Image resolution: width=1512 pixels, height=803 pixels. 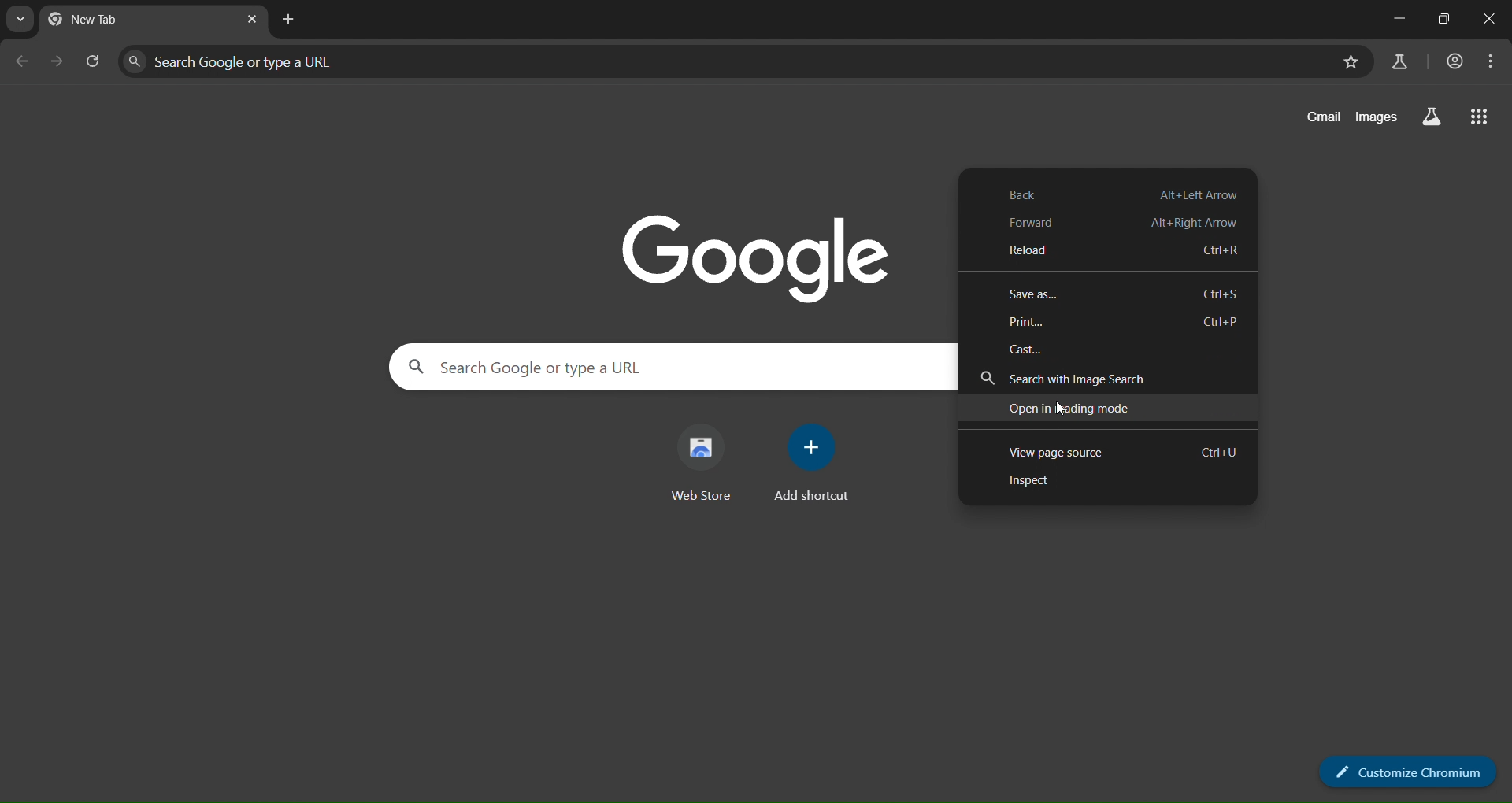 I want to click on view page source, so click(x=1111, y=452).